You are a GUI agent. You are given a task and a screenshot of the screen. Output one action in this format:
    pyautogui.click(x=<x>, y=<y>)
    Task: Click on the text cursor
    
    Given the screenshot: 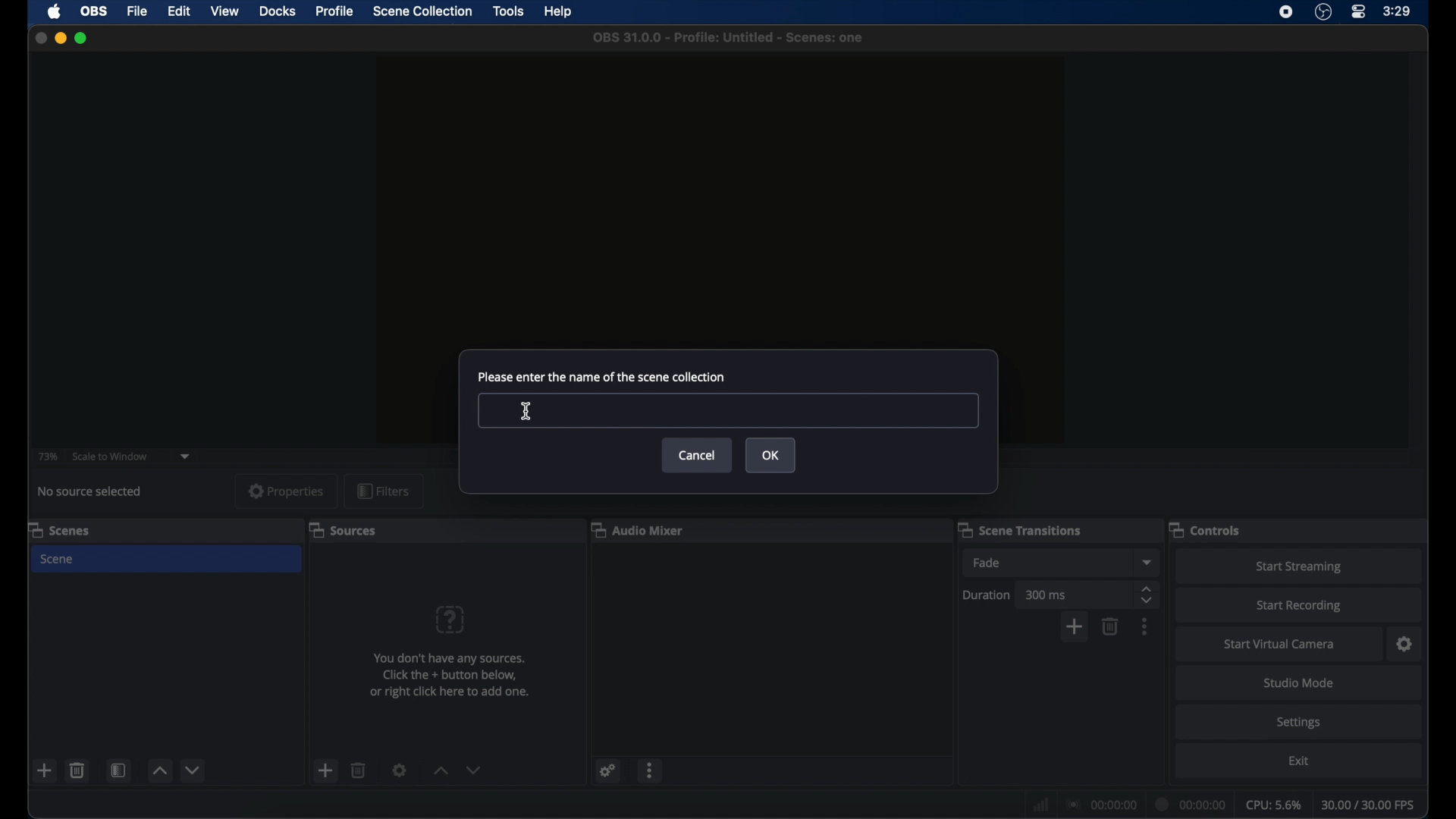 What is the action you would take?
    pyautogui.click(x=528, y=410)
    